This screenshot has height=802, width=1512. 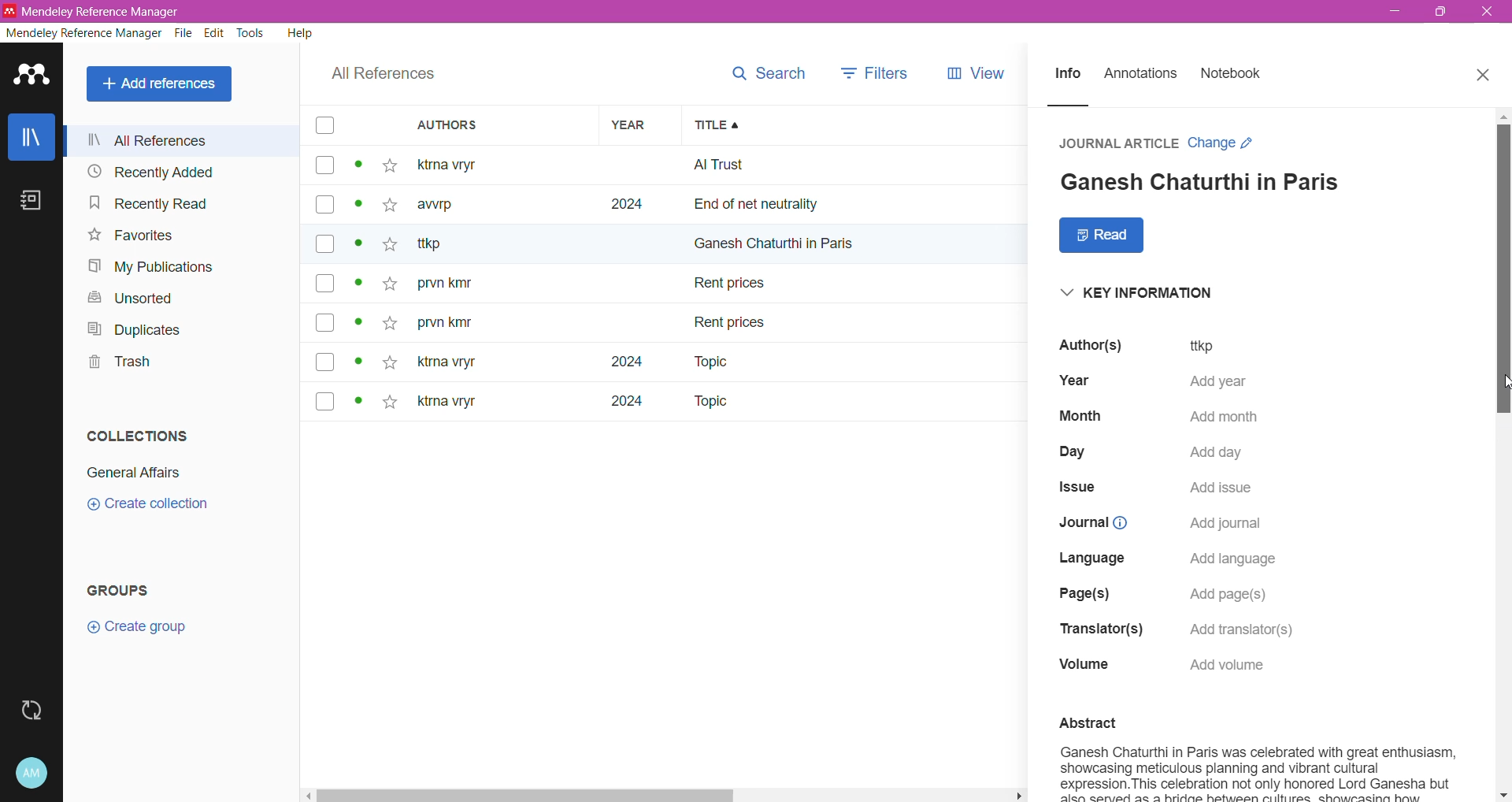 What do you see at coordinates (134, 587) in the screenshot?
I see `Groups` at bounding box center [134, 587].